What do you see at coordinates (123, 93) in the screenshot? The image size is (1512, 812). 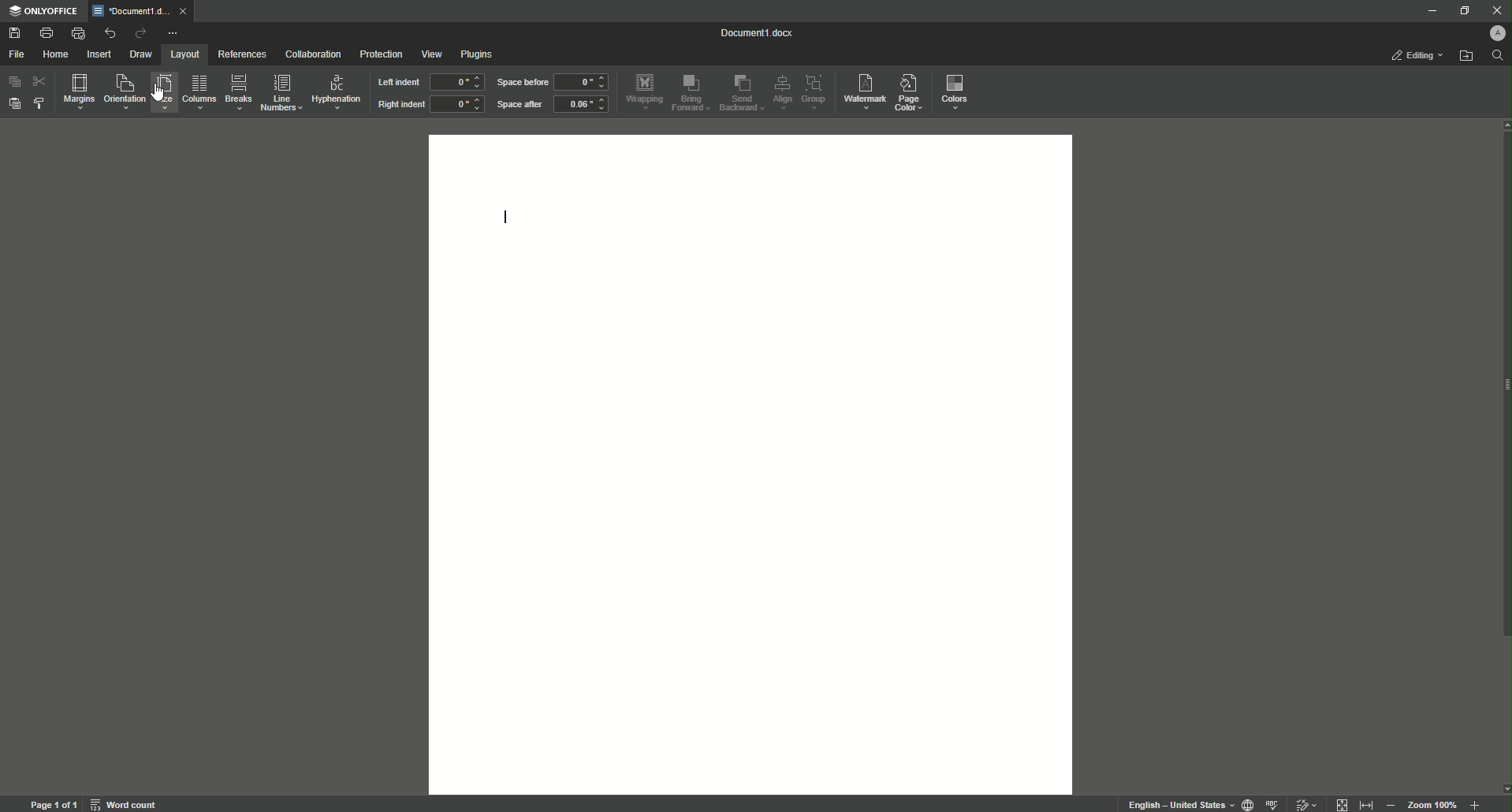 I see `Orientation` at bounding box center [123, 93].